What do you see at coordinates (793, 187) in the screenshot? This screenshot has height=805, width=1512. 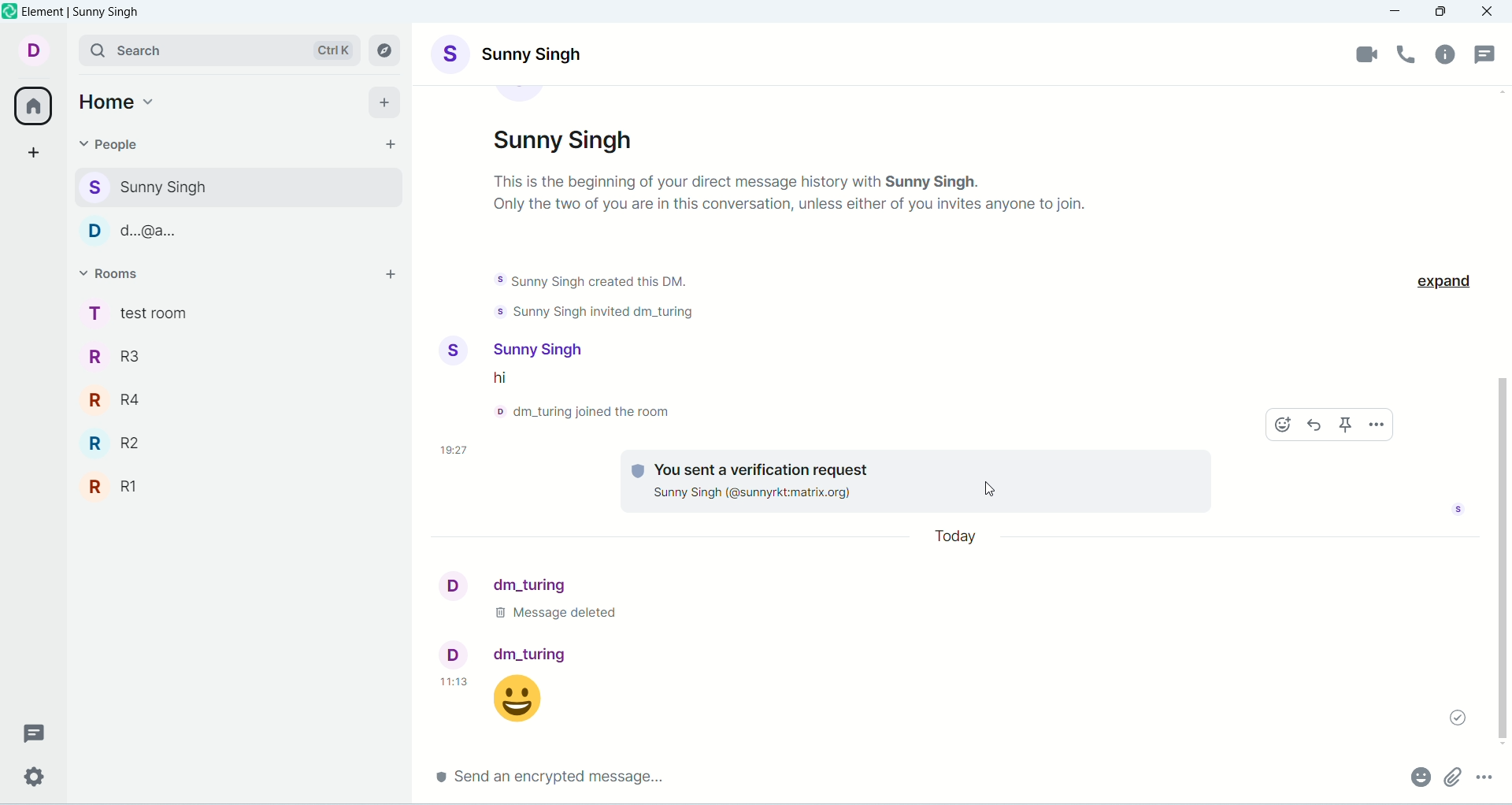 I see `text` at bounding box center [793, 187].